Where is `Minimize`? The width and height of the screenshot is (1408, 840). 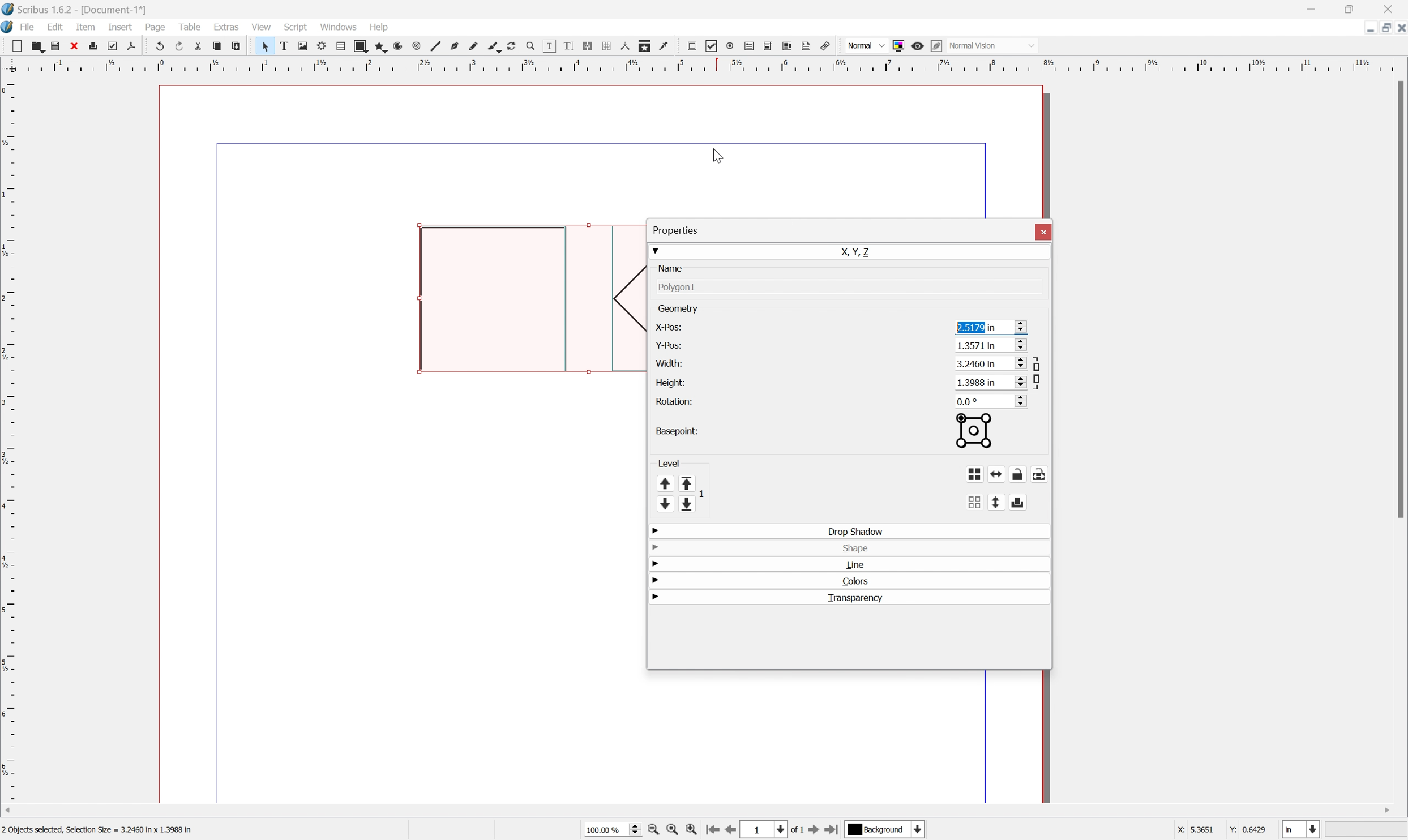 Minimize is located at coordinates (1365, 29).